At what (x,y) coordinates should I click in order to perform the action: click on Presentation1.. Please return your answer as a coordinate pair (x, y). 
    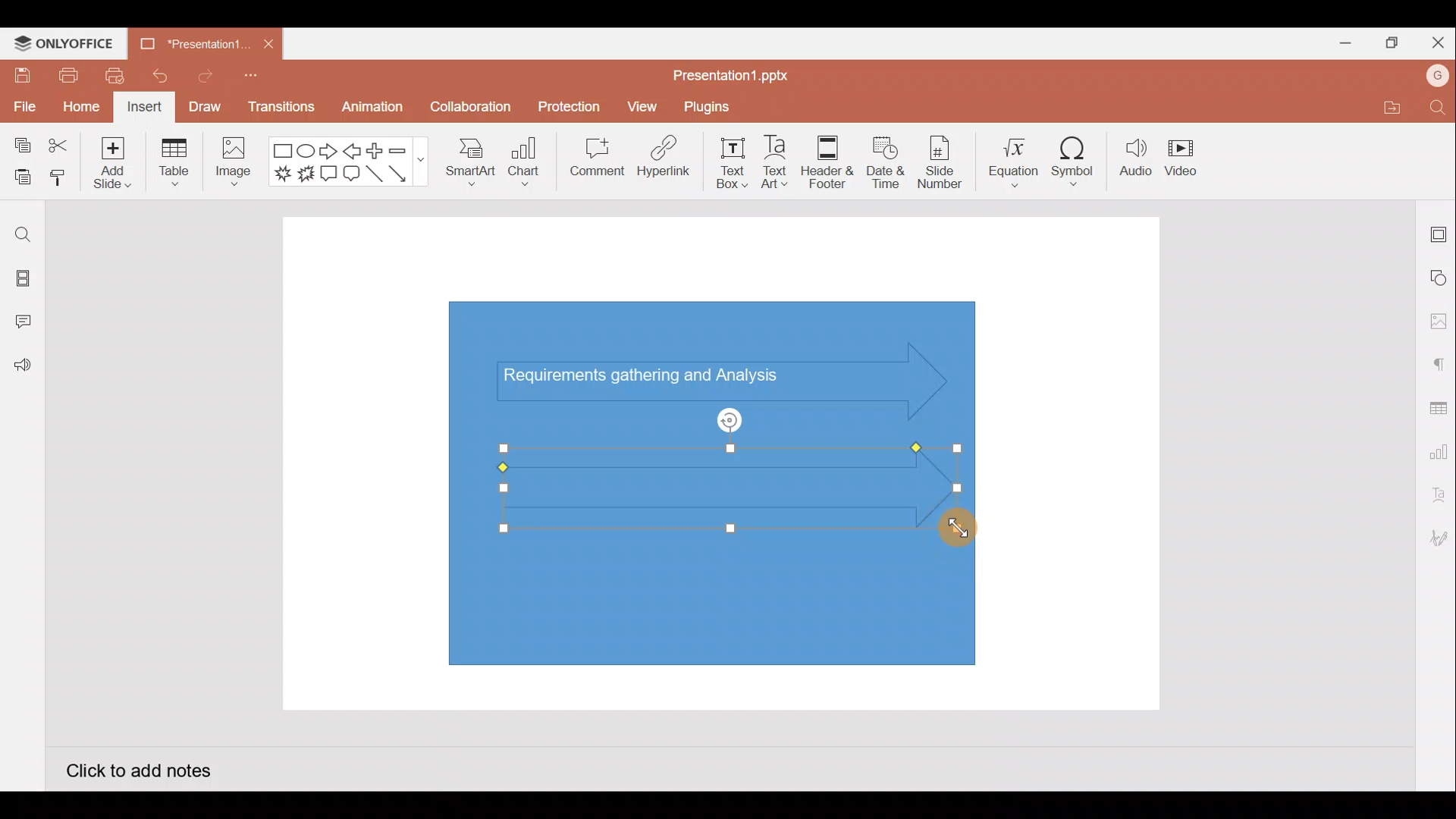
    Looking at the image, I should click on (190, 42).